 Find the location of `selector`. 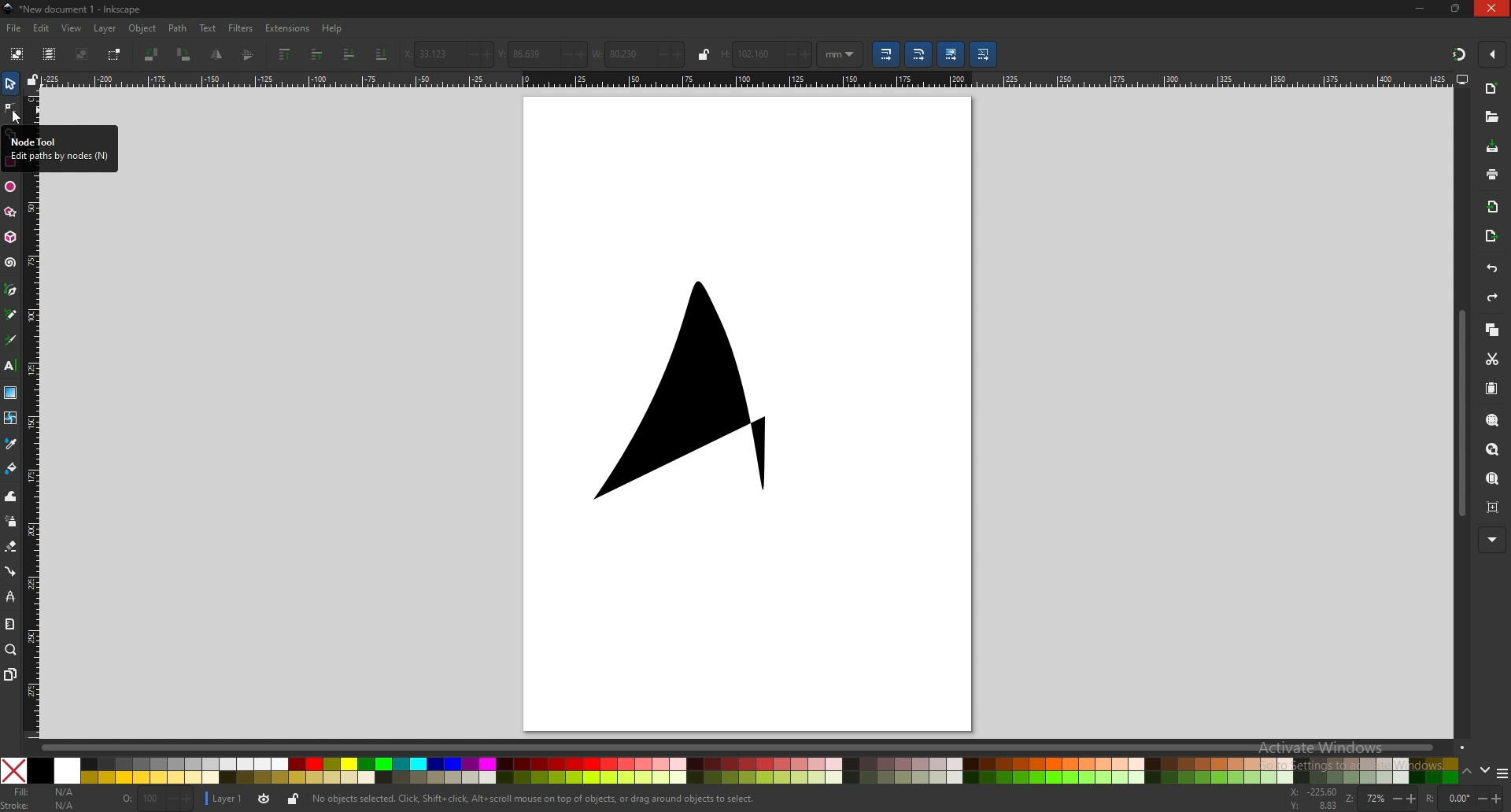

selector is located at coordinates (10, 83).